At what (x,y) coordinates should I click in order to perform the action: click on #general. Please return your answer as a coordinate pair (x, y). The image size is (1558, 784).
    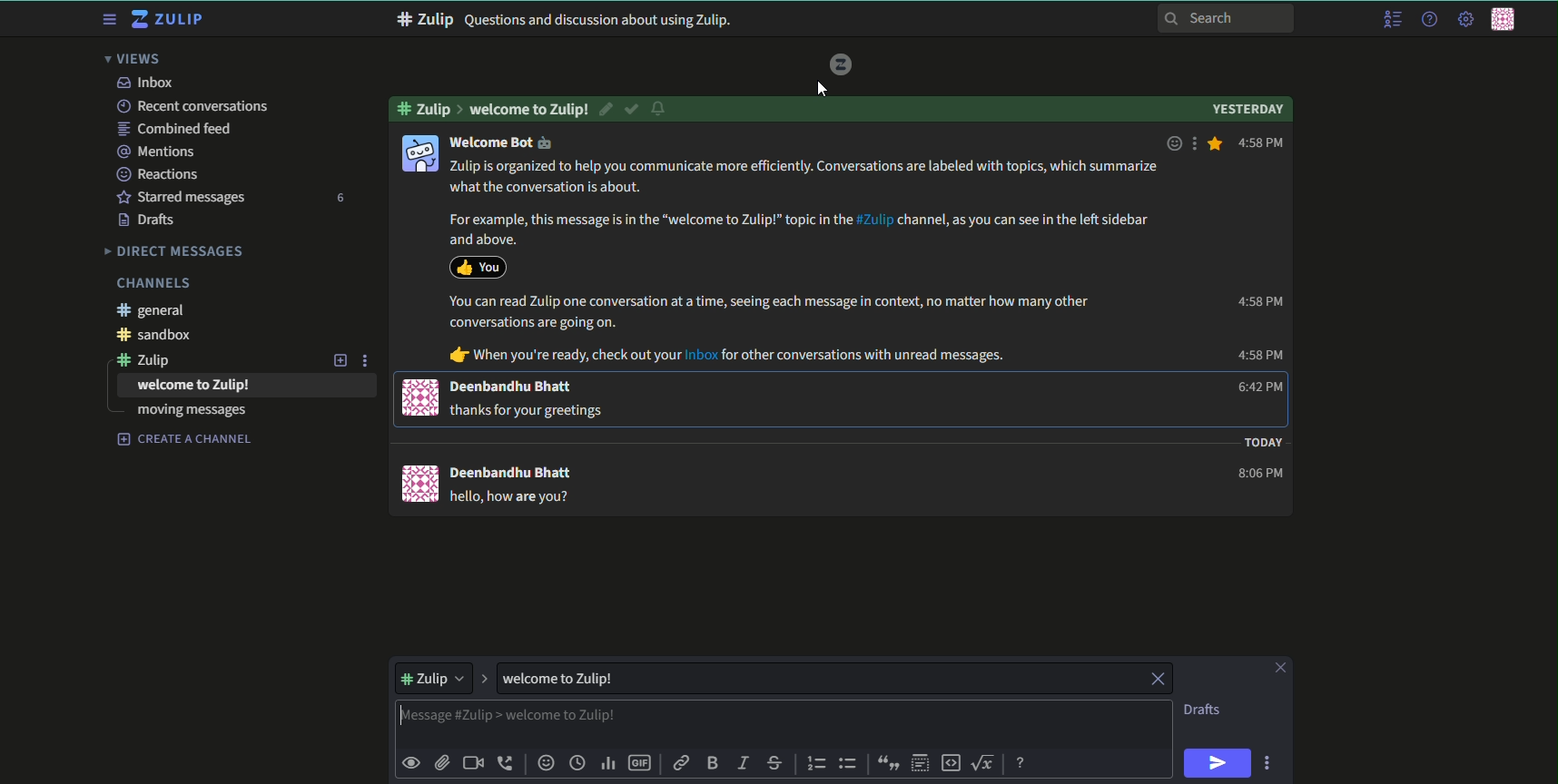
    Looking at the image, I should click on (156, 310).